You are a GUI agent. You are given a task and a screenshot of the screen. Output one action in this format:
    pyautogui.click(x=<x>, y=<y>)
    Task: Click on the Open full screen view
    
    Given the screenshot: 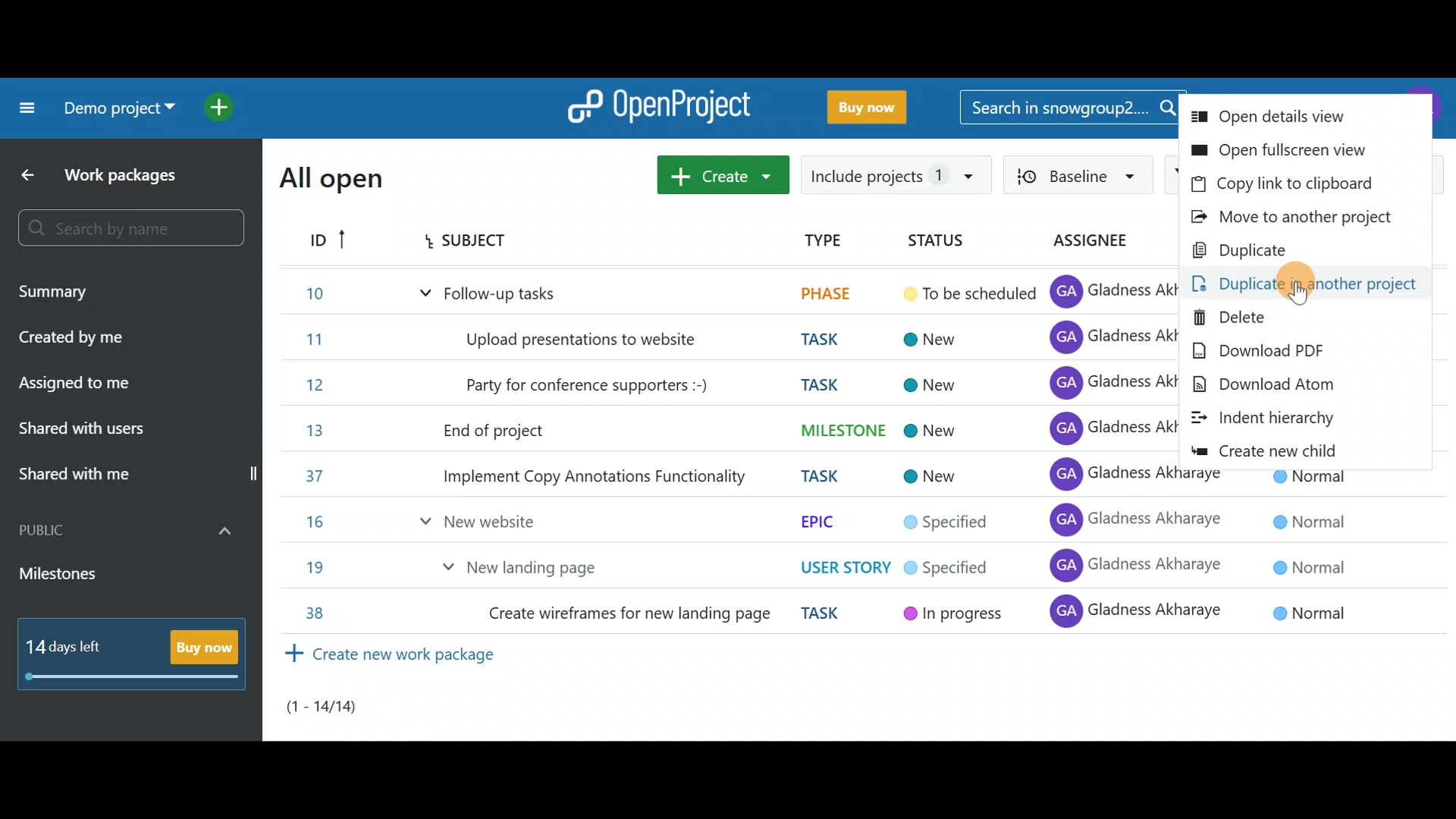 What is the action you would take?
    pyautogui.click(x=1297, y=149)
    